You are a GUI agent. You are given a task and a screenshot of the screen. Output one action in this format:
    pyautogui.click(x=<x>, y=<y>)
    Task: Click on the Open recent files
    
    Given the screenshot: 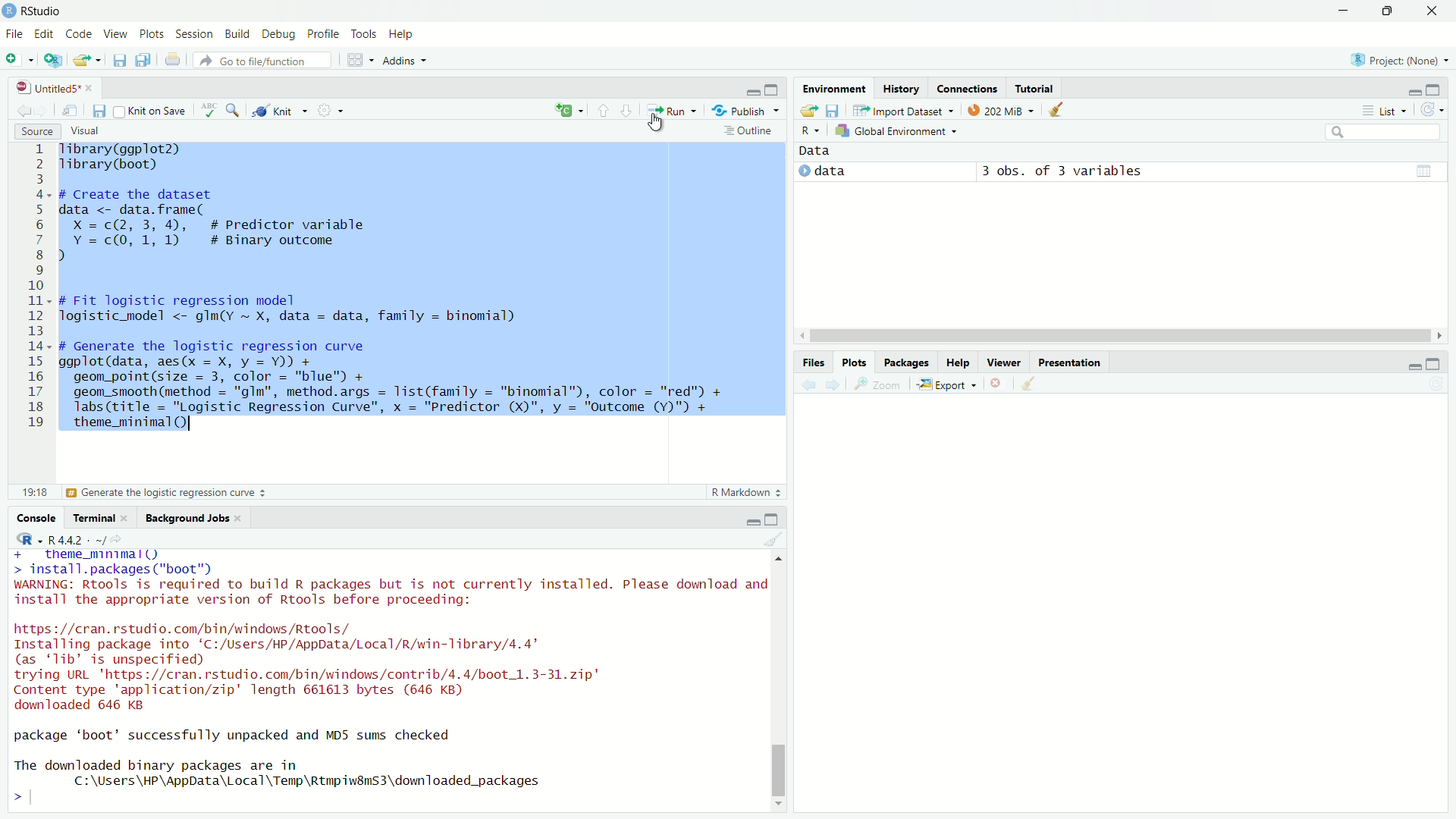 What is the action you would take?
    pyautogui.click(x=98, y=61)
    